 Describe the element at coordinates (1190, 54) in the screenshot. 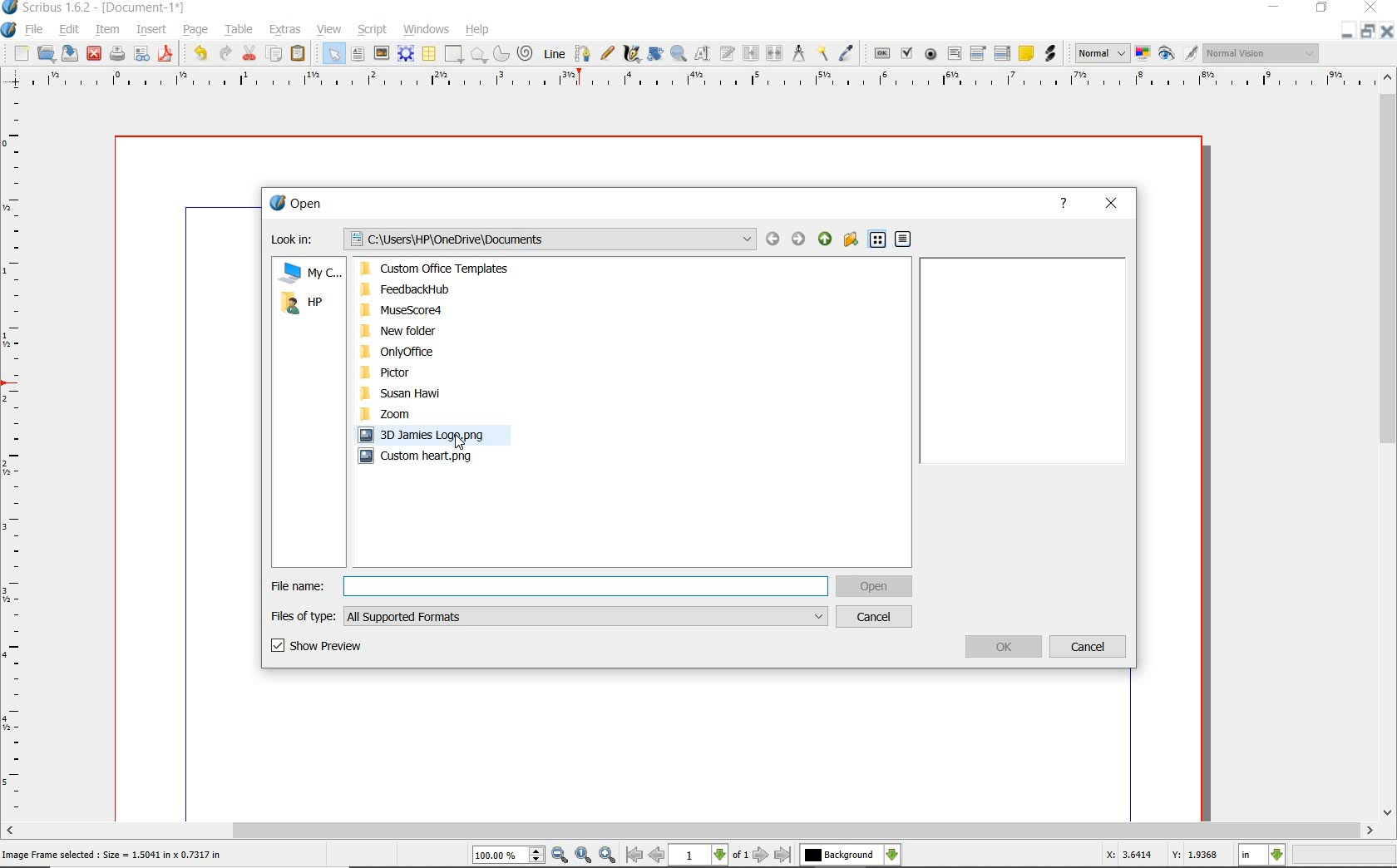

I see `edit in preview mode` at that location.